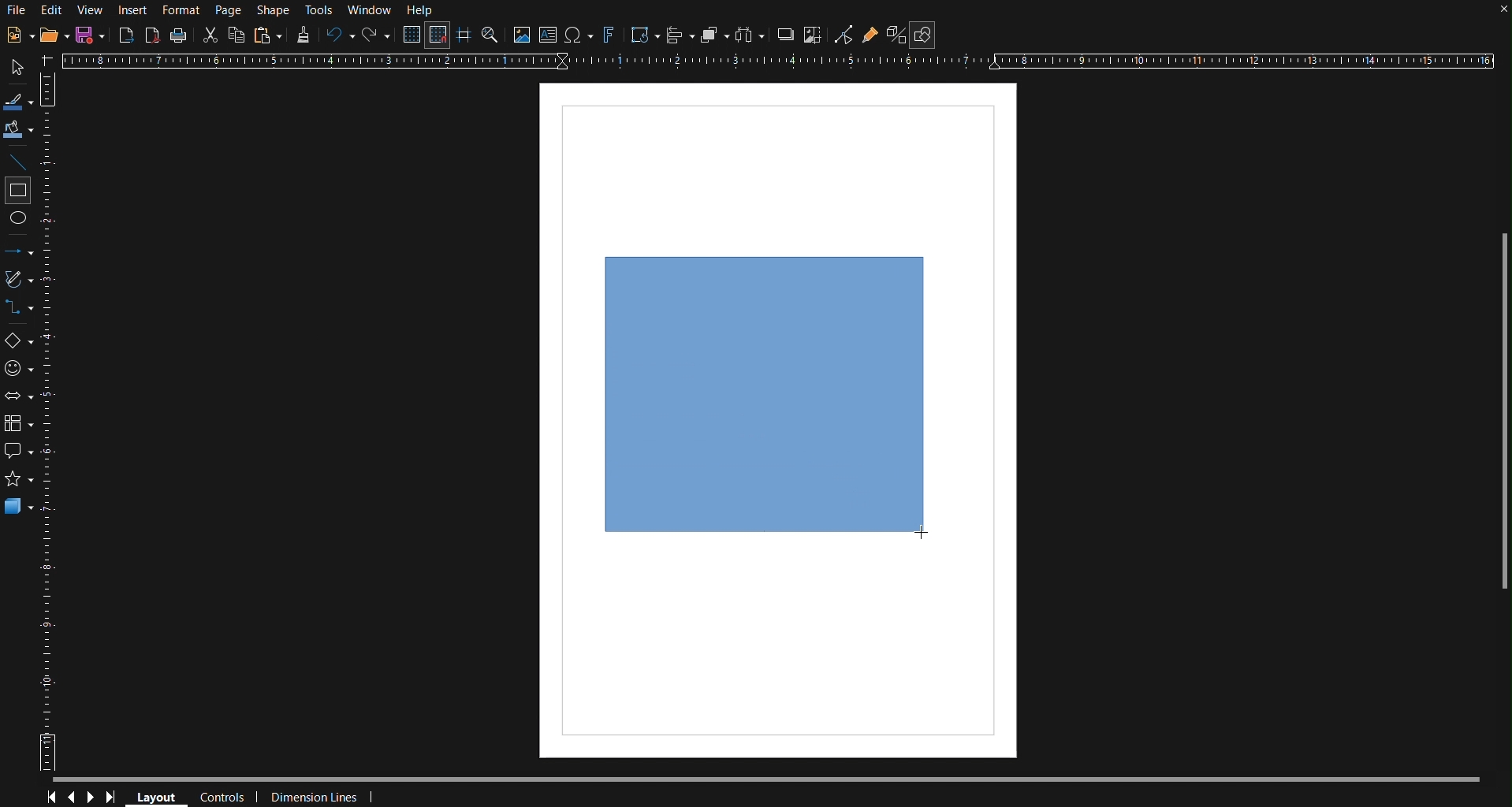 The image size is (1512, 807). I want to click on Save, so click(91, 35).